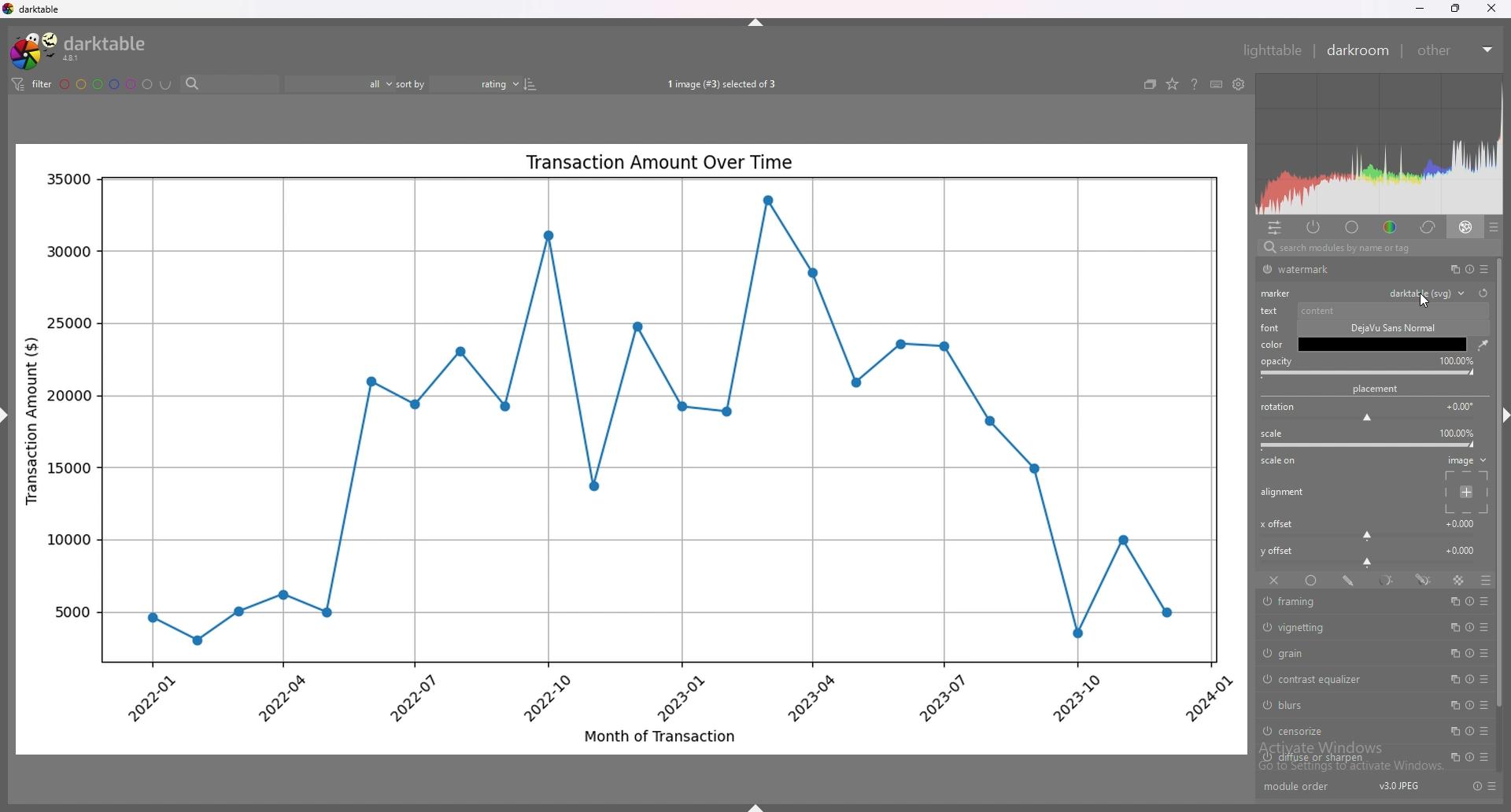 This screenshot has height=812, width=1511. What do you see at coordinates (1379, 144) in the screenshot?
I see `heat map` at bounding box center [1379, 144].